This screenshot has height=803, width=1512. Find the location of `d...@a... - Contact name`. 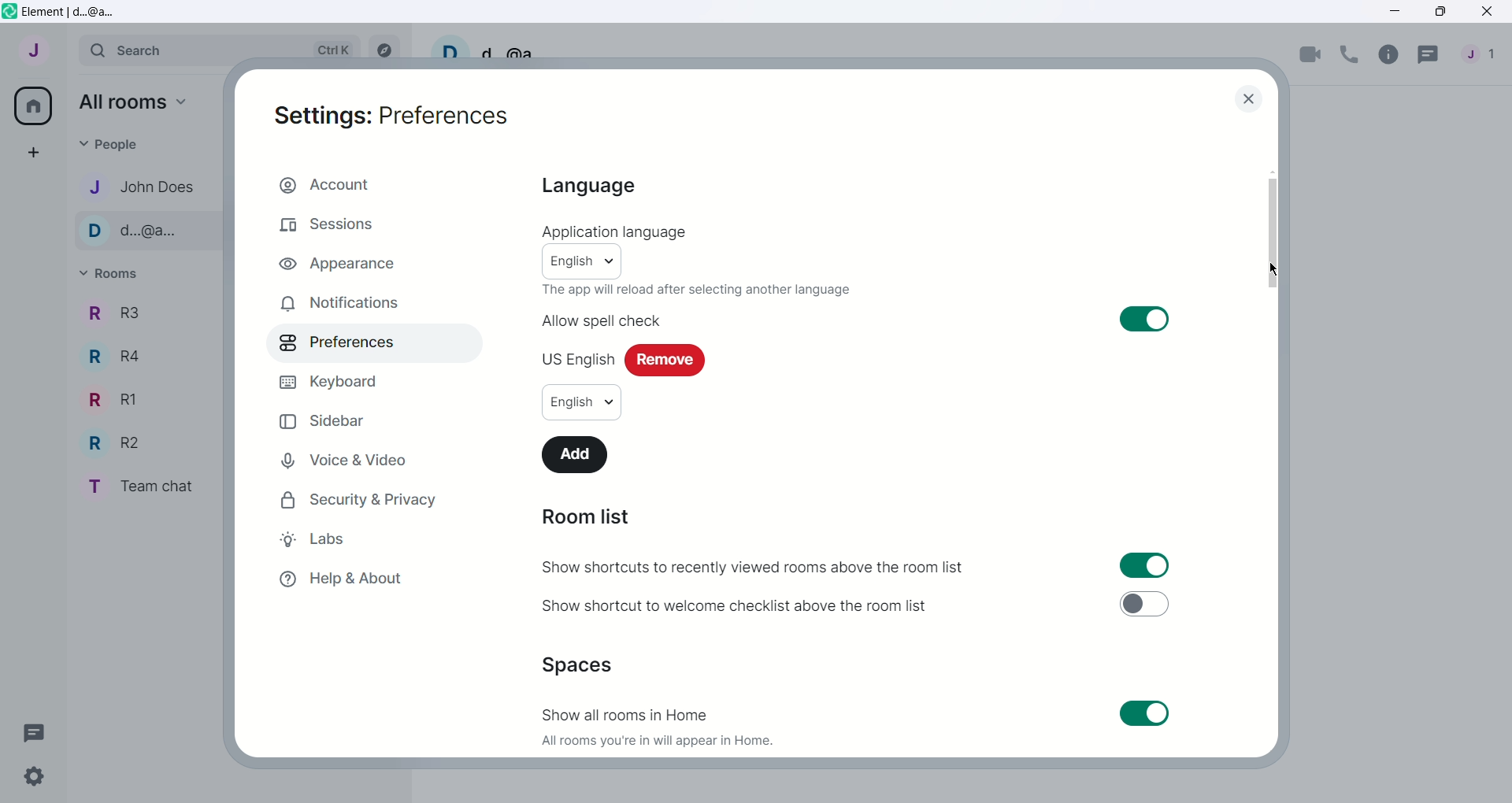

d...@a... - Contact name is located at coordinates (152, 231).